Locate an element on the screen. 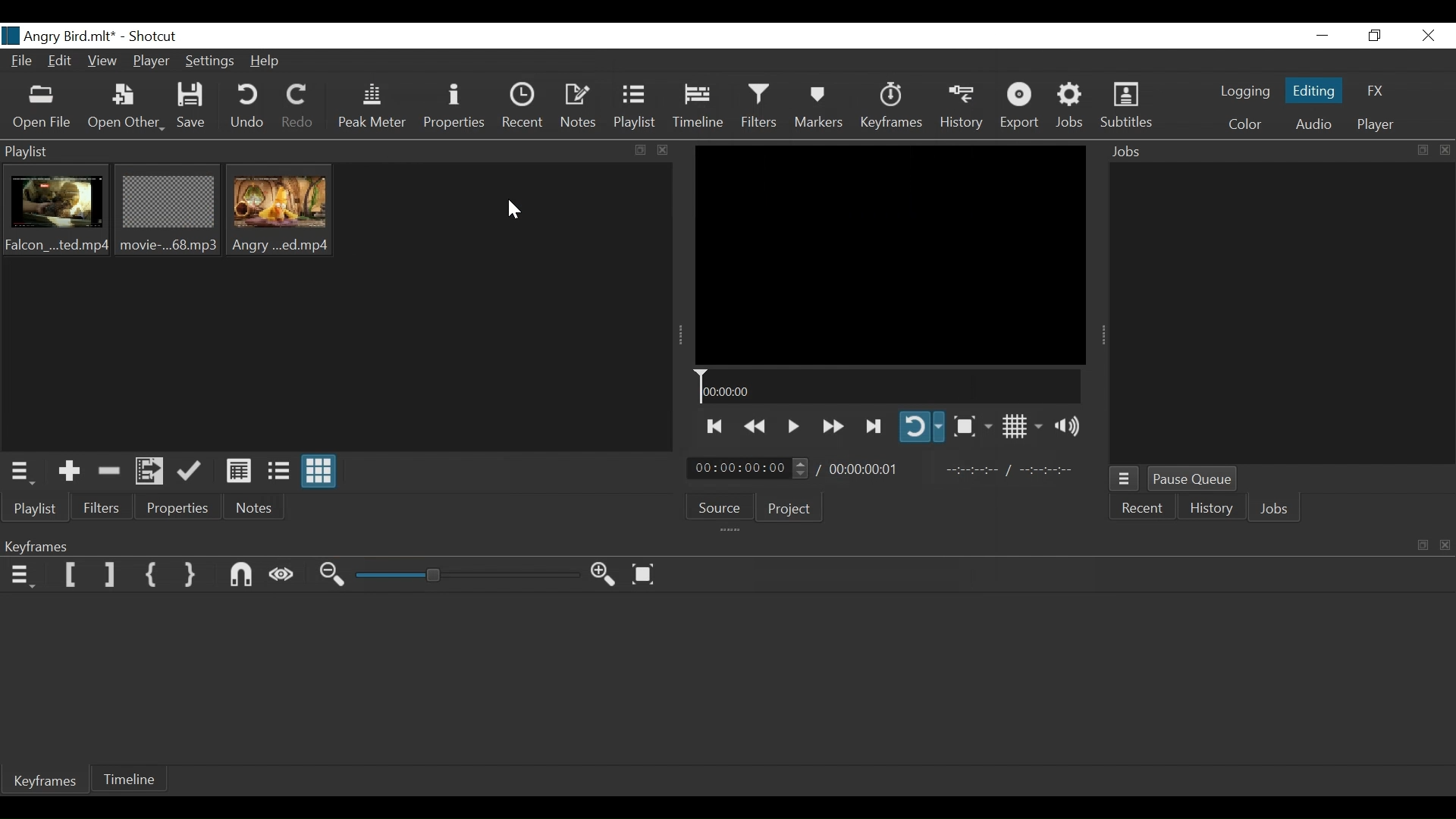 The width and height of the screenshot is (1456, 819). Color is located at coordinates (1244, 123).